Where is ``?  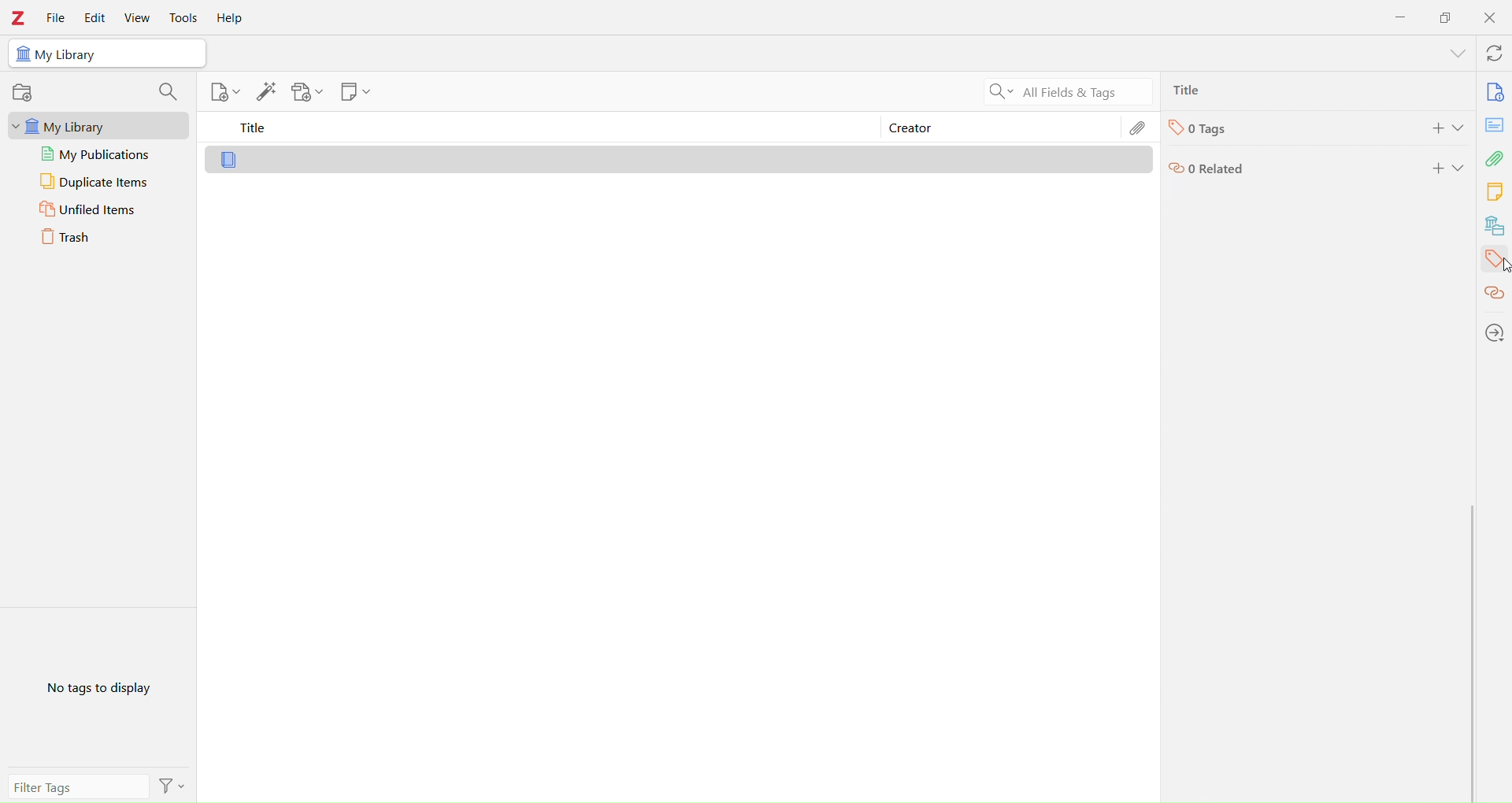
 is located at coordinates (1406, 17).